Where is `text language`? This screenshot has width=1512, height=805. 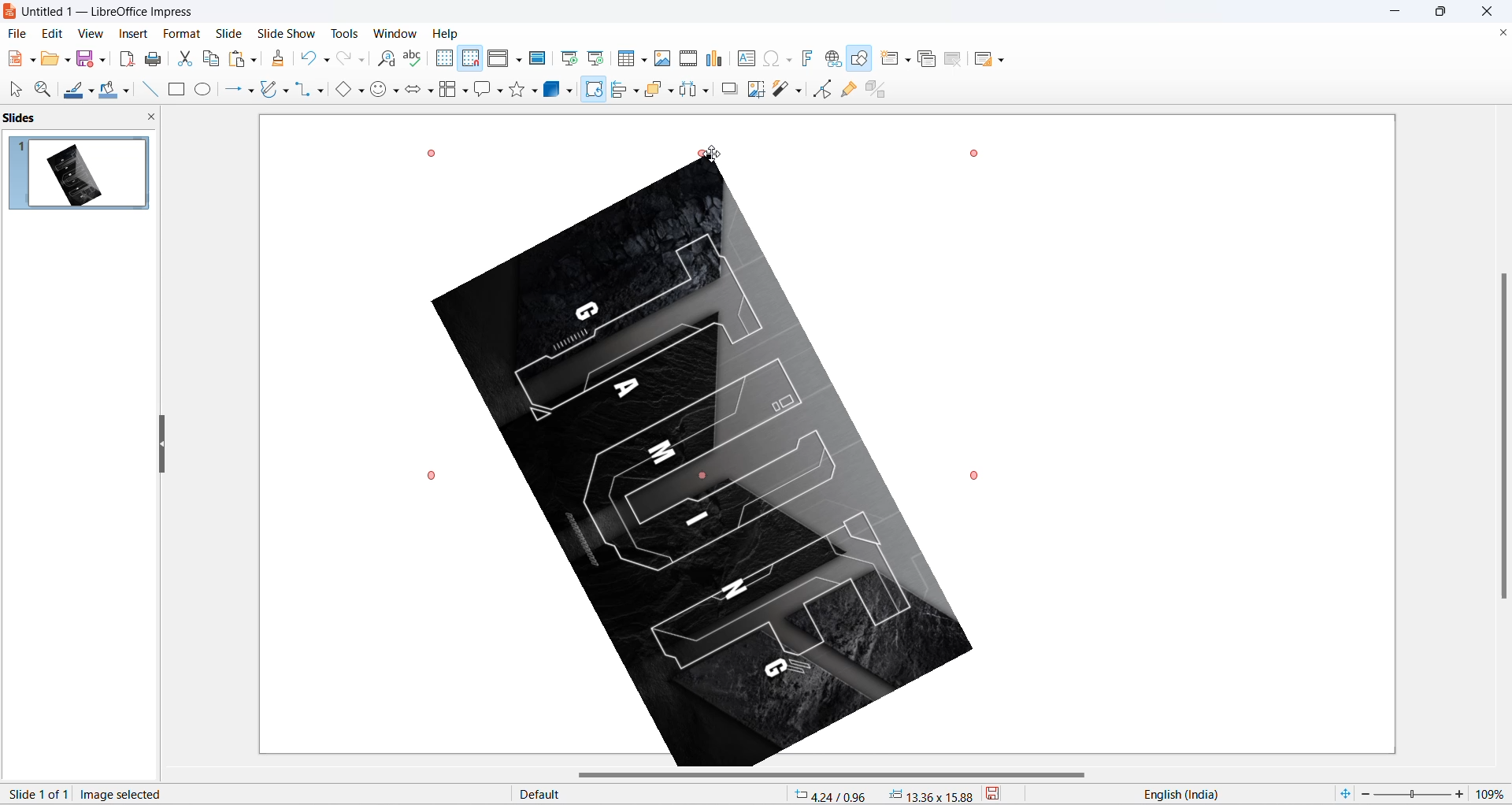 text language is located at coordinates (1220, 794).